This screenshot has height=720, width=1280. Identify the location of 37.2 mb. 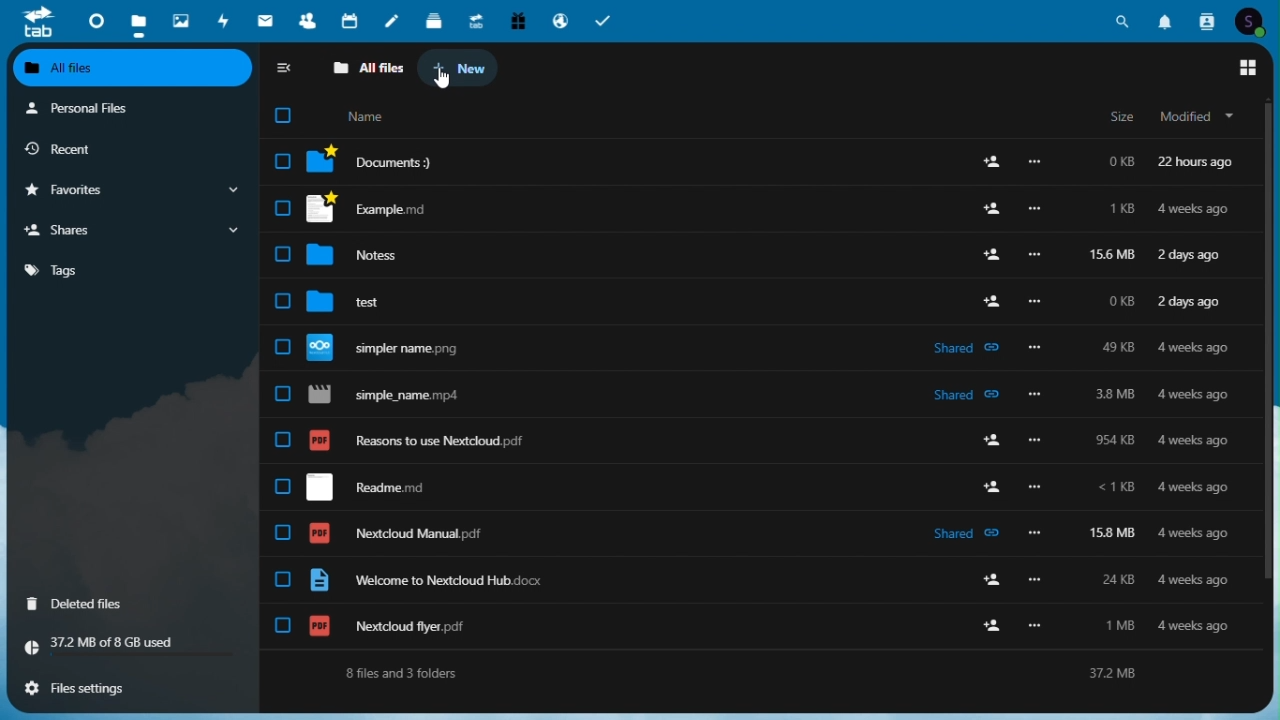
(1128, 675).